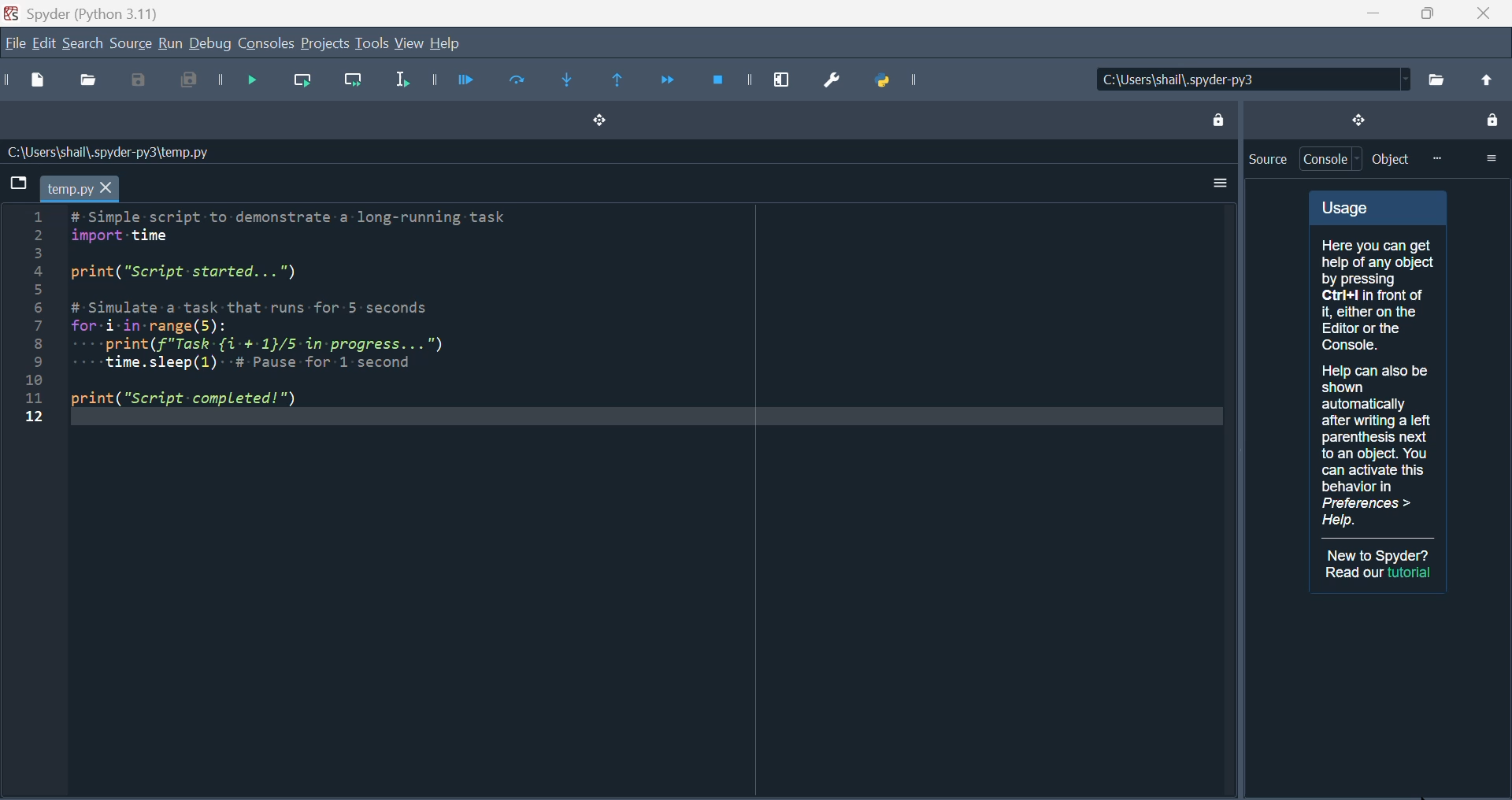 This screenshot has width=1512, height=800. Describe the element at coordinates (140, 83) in the screenshot. I see `Save as` at that location.